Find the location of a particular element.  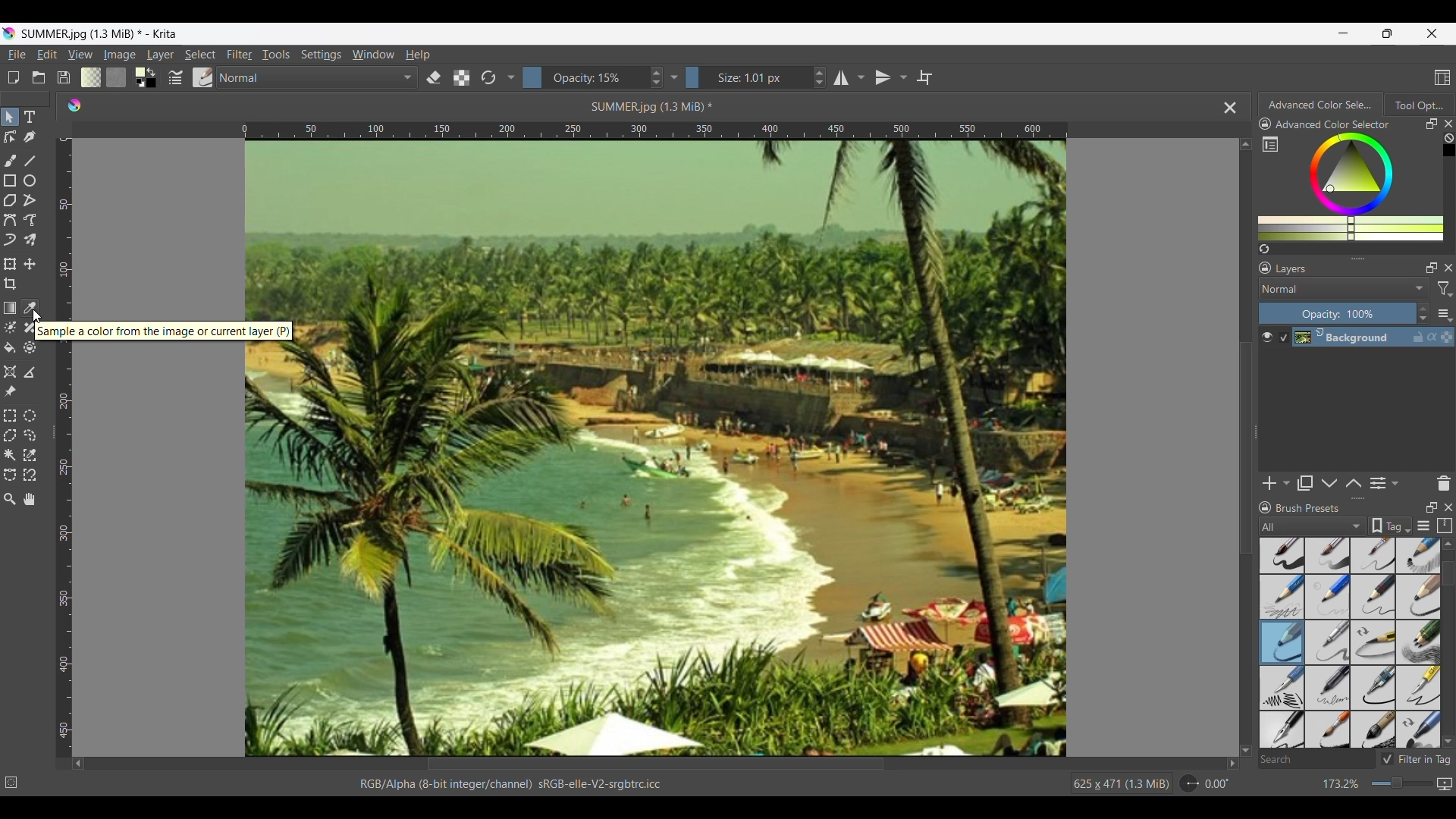

Vertical mirror tool is located at coordinates (882, 77).